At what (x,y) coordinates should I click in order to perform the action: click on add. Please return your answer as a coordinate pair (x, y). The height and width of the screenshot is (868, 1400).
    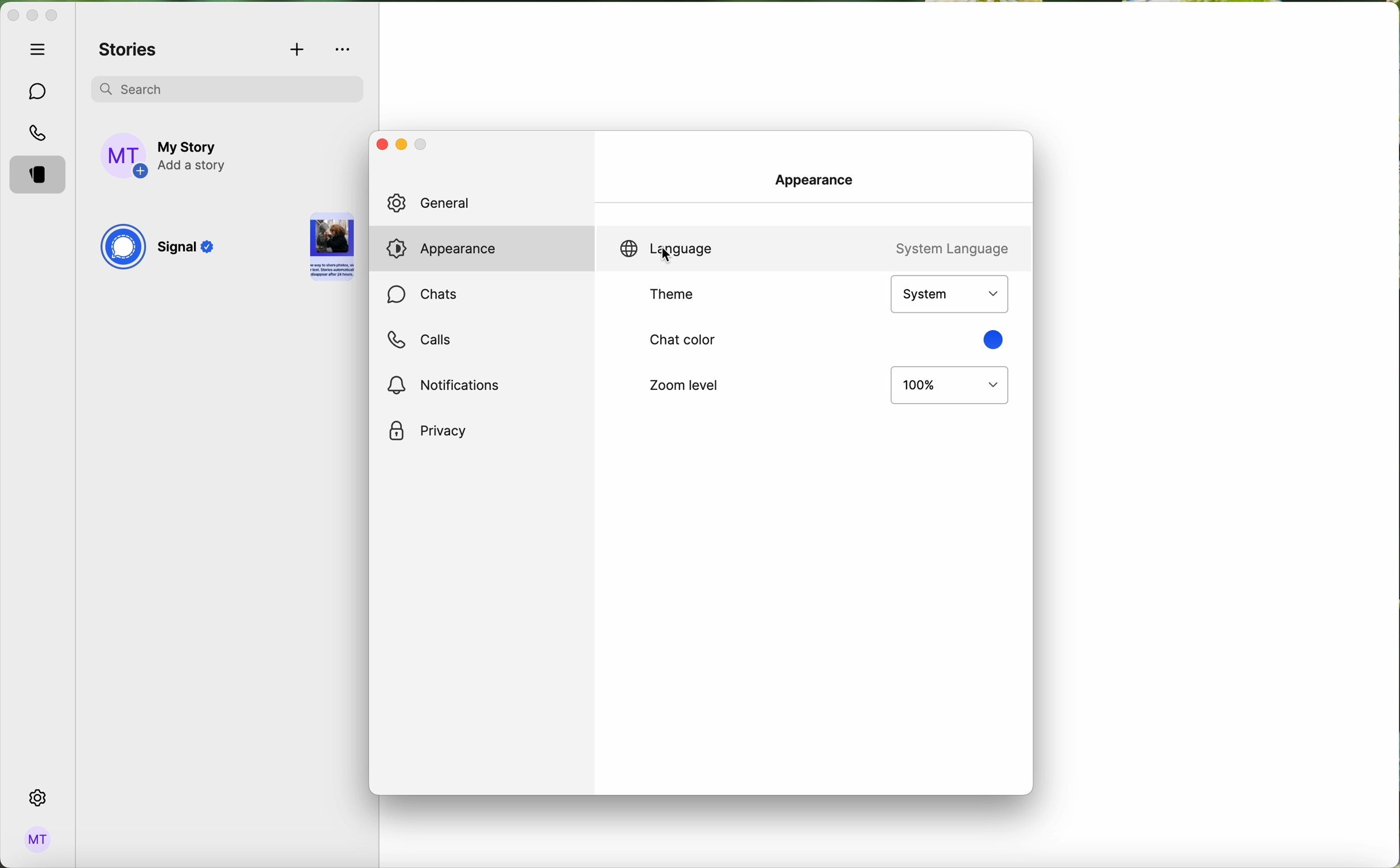
    Looking at the image, I should click on (298, 51).